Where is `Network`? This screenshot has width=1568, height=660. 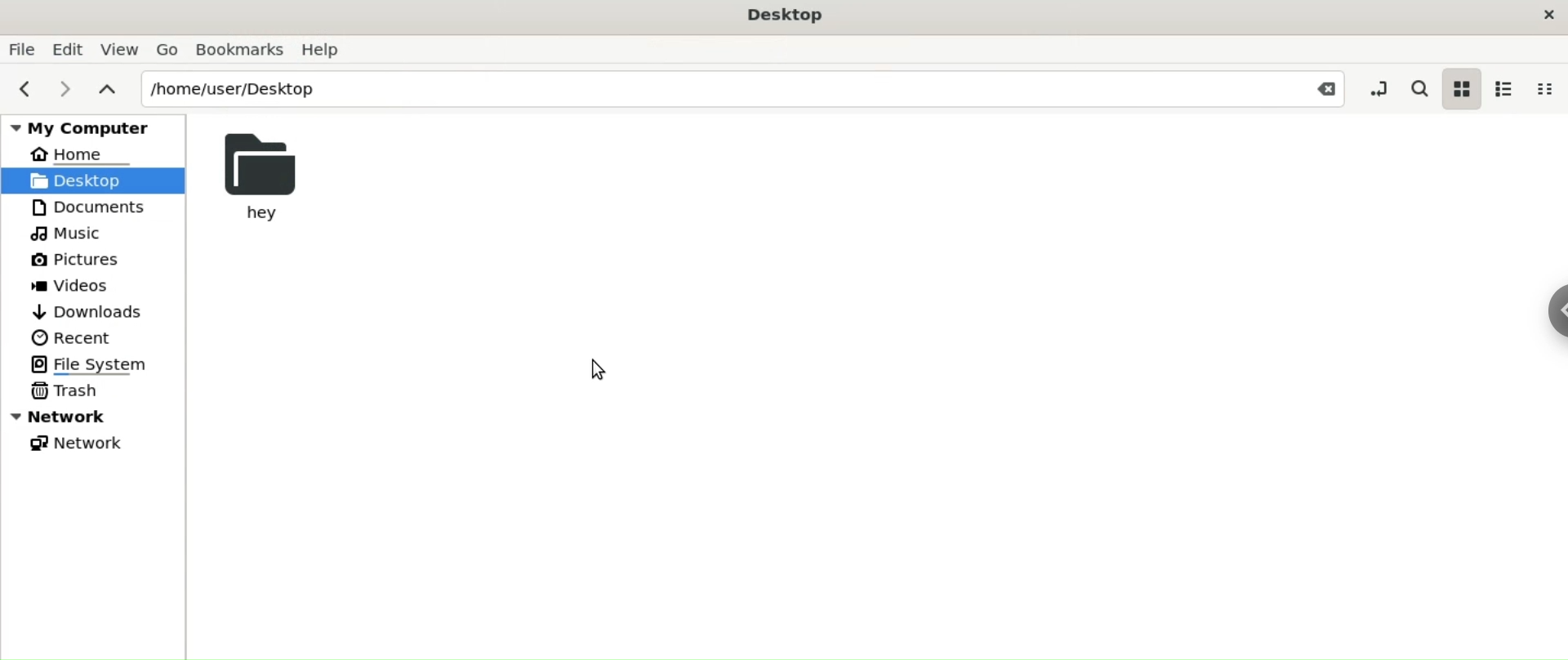
Network is located at coordinates (80, 448).